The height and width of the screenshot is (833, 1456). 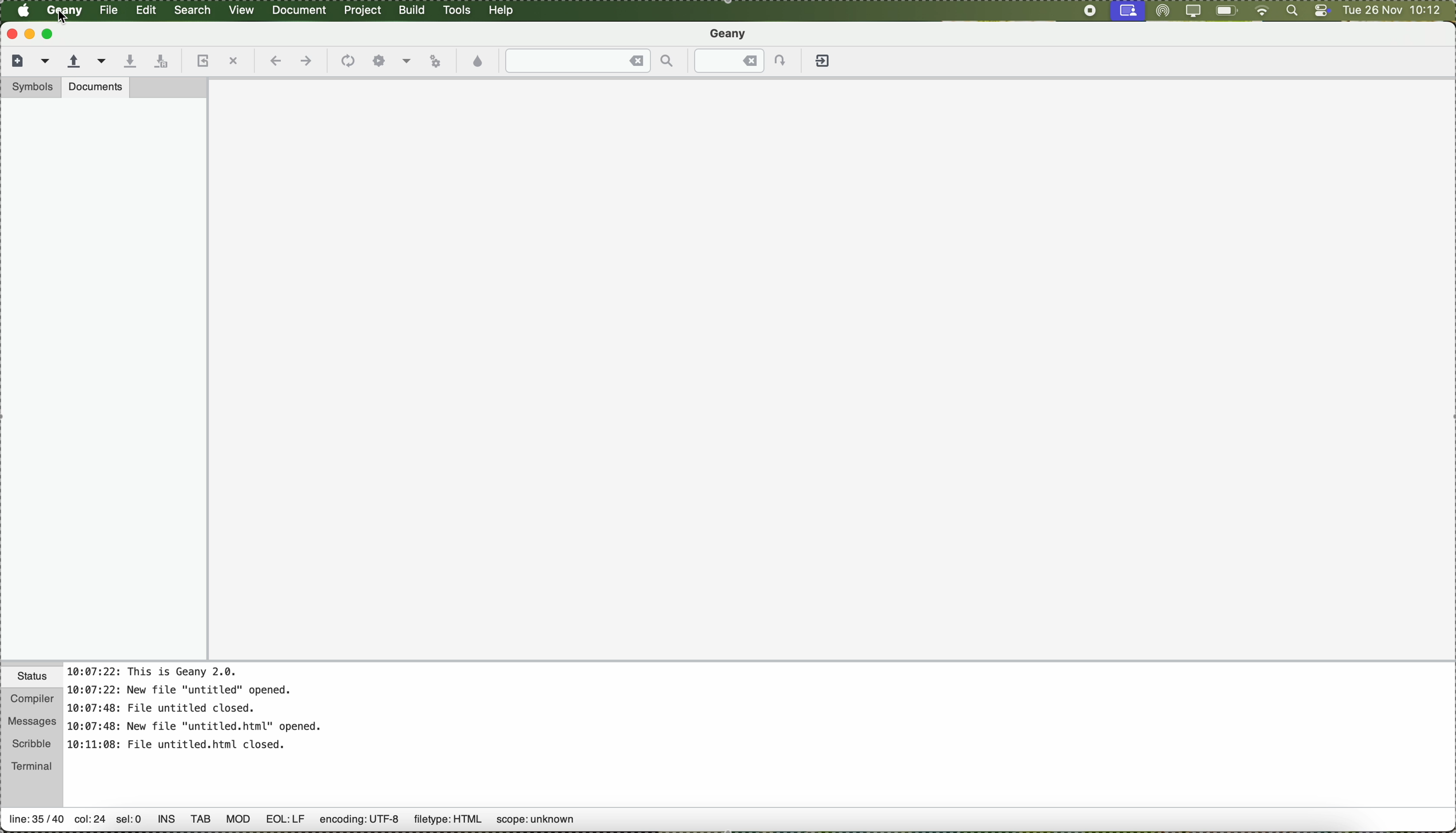 What do you see at coordinates (378, 61) in the screenshot?
I see `settings` at bounding box center [378, 61].